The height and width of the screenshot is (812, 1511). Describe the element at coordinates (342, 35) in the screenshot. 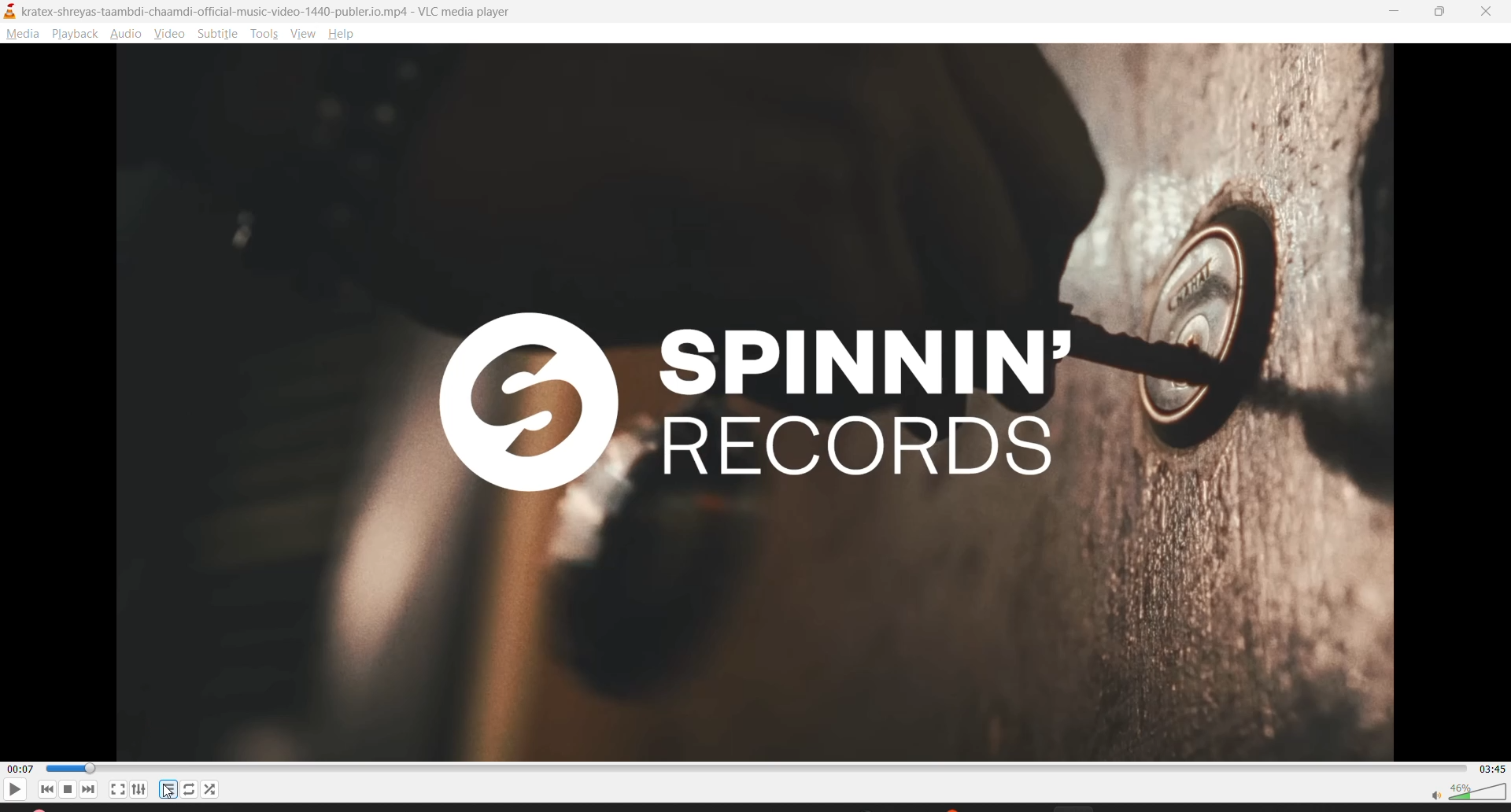

I see `help` at that location.